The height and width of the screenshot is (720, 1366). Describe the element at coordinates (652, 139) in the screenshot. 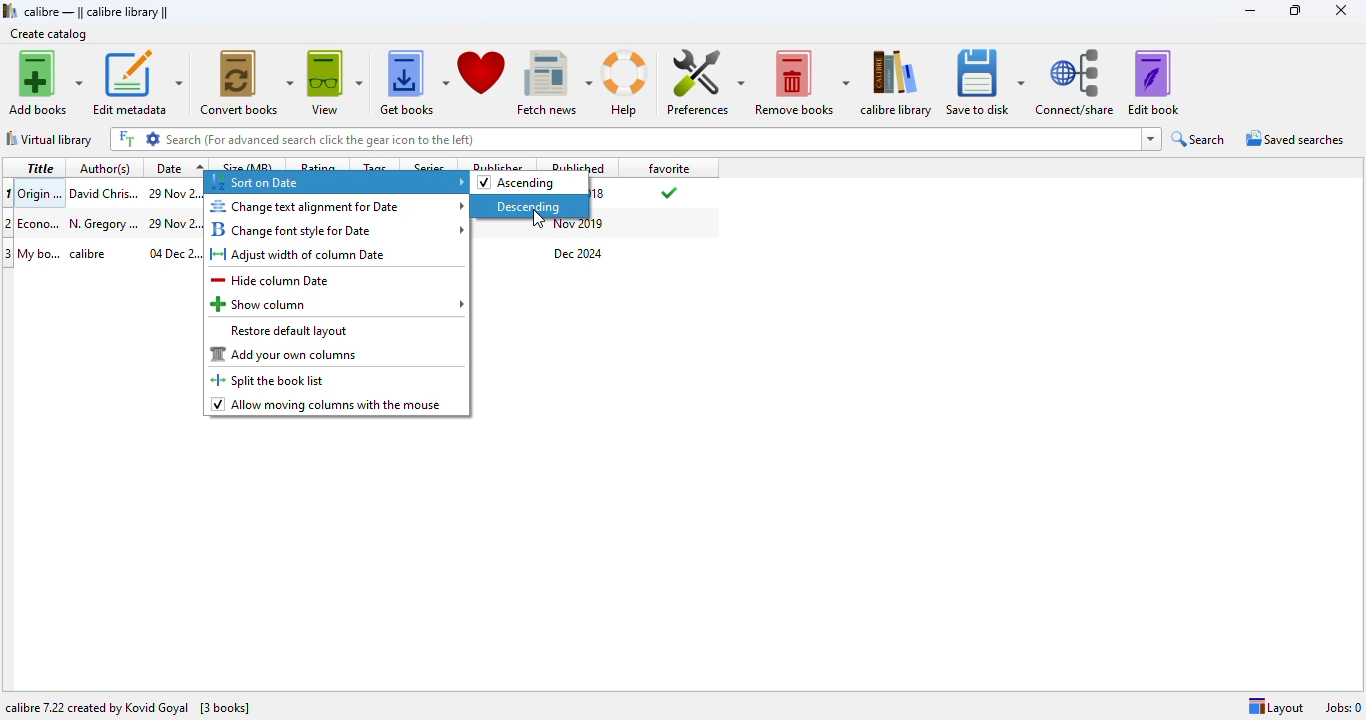

I see `search` at that location.